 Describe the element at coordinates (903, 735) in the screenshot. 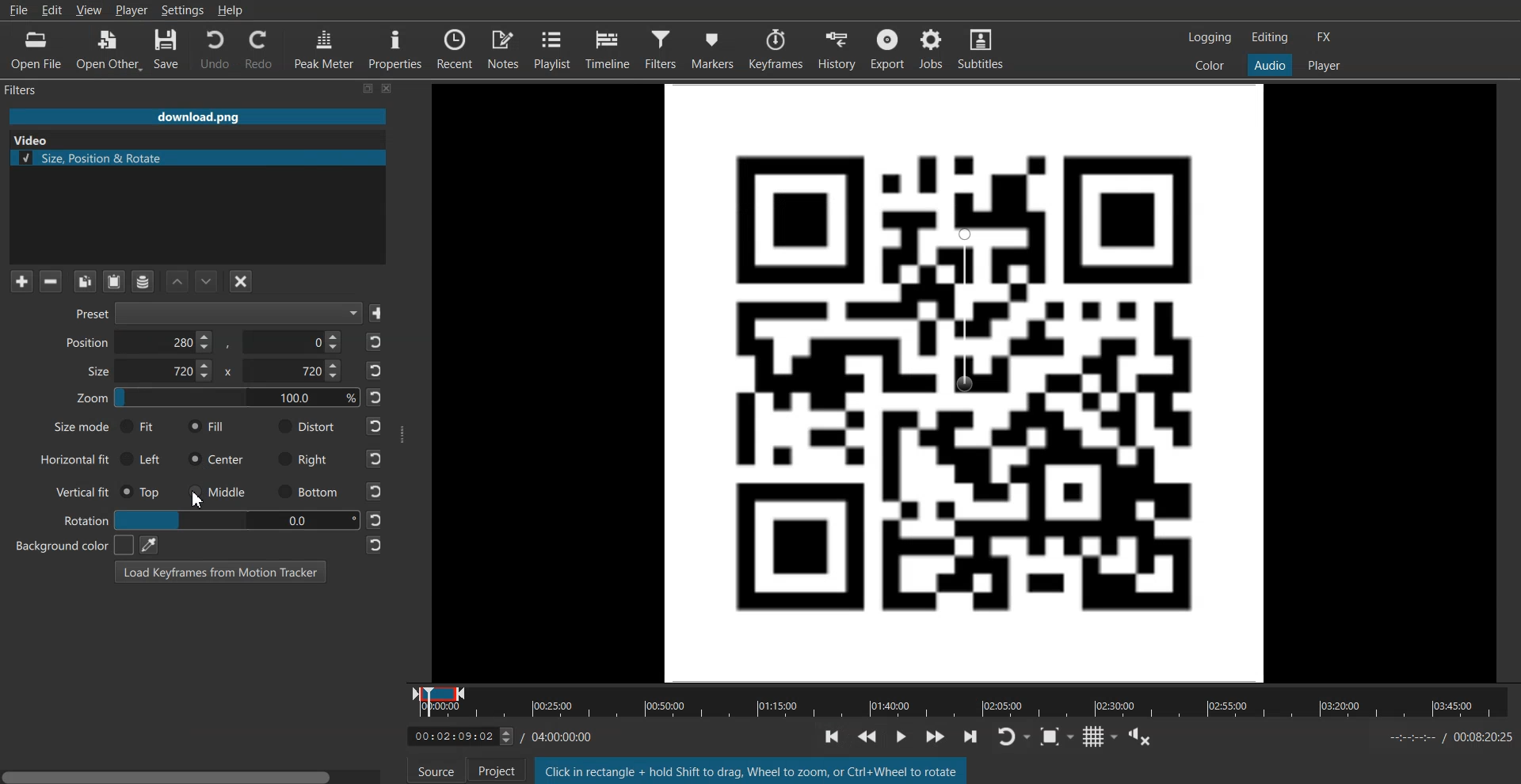

I see `Toggle play or pause` at that location.